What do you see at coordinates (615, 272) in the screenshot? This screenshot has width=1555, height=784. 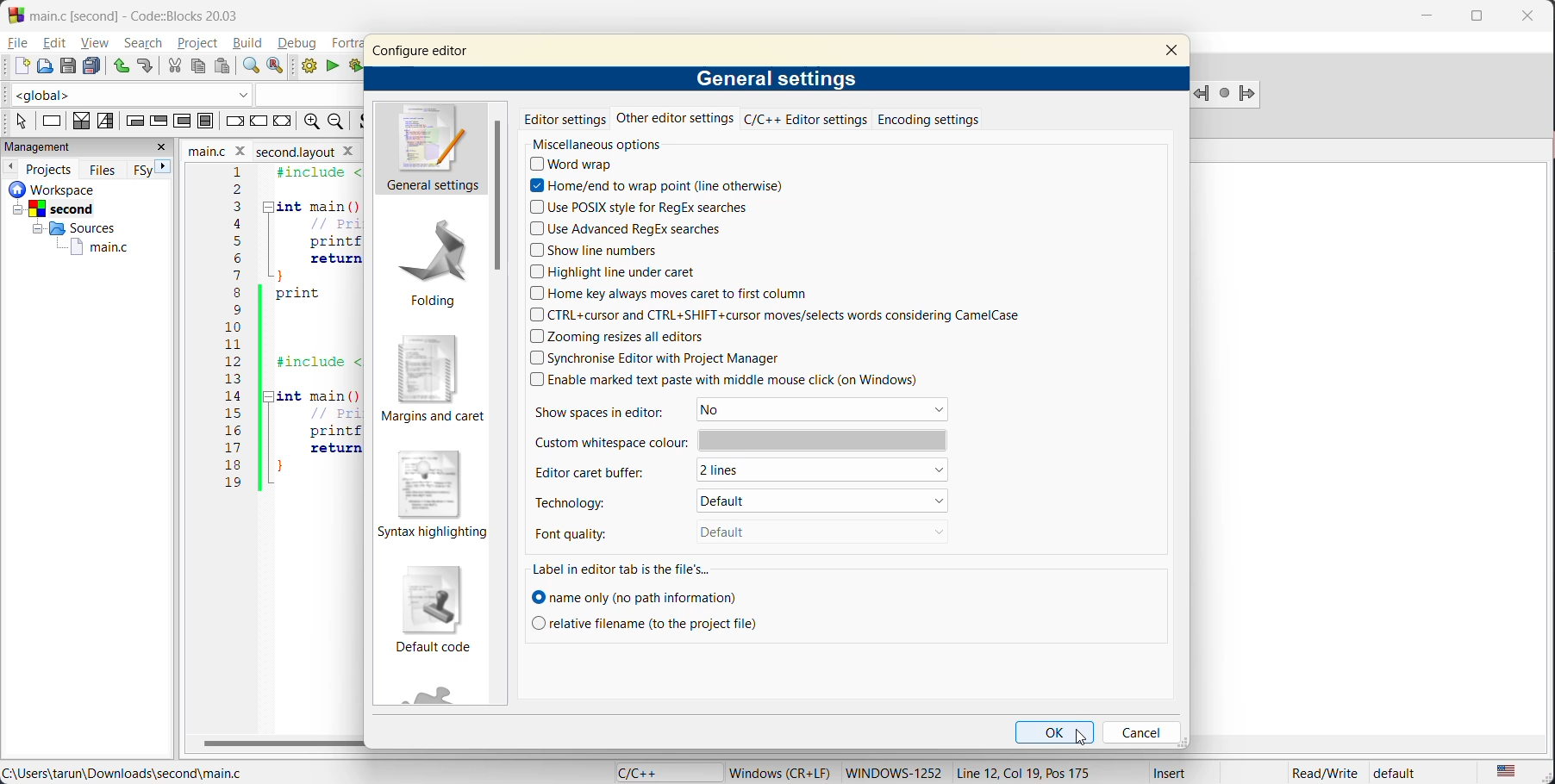 I see `highlight line under caret` at bounding box center [615, 272].